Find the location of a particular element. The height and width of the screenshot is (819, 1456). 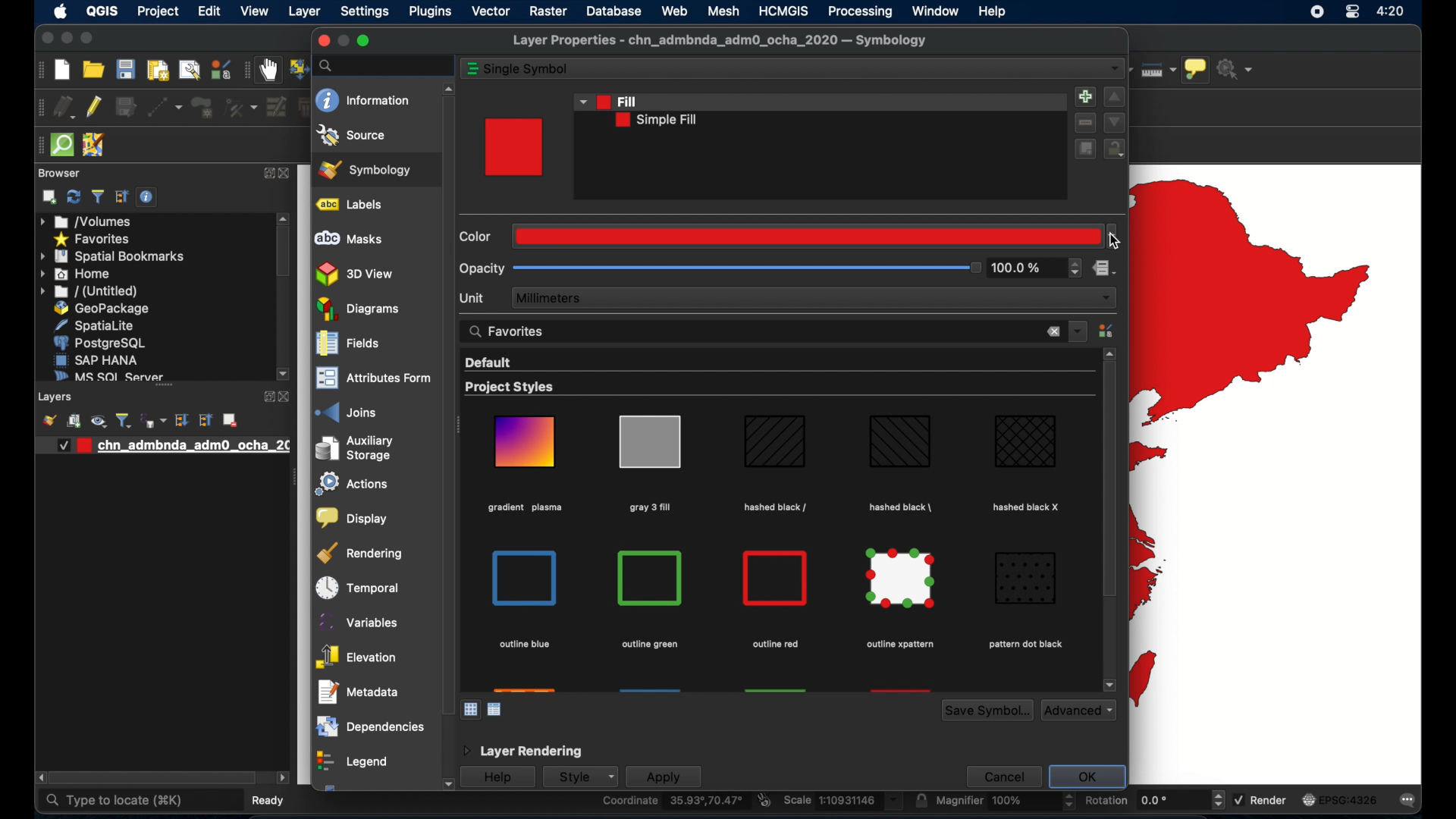

scroll down arrow is located at coordinates (1109, 685).